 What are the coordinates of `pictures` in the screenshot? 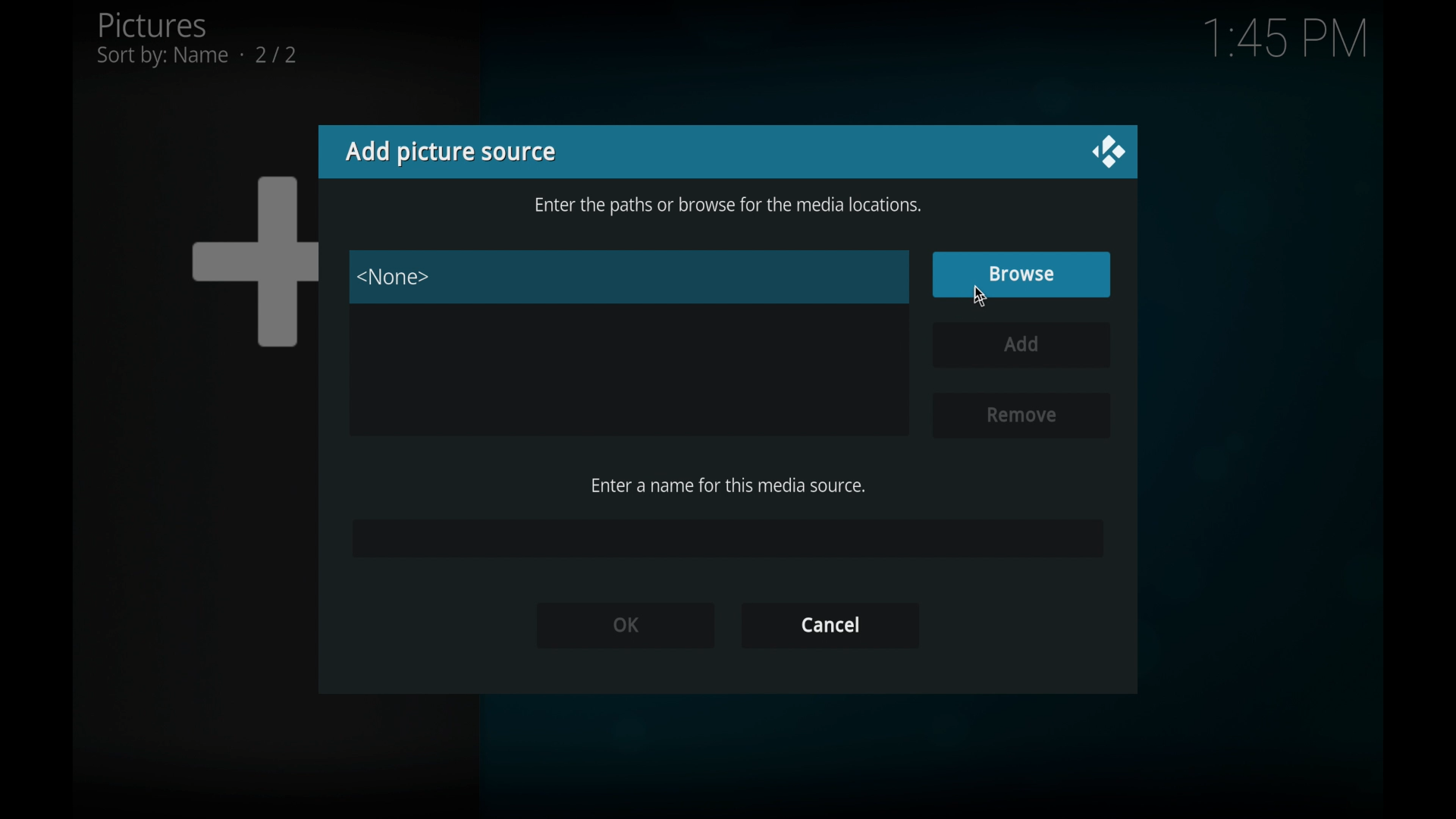 It's located at (196, 39).